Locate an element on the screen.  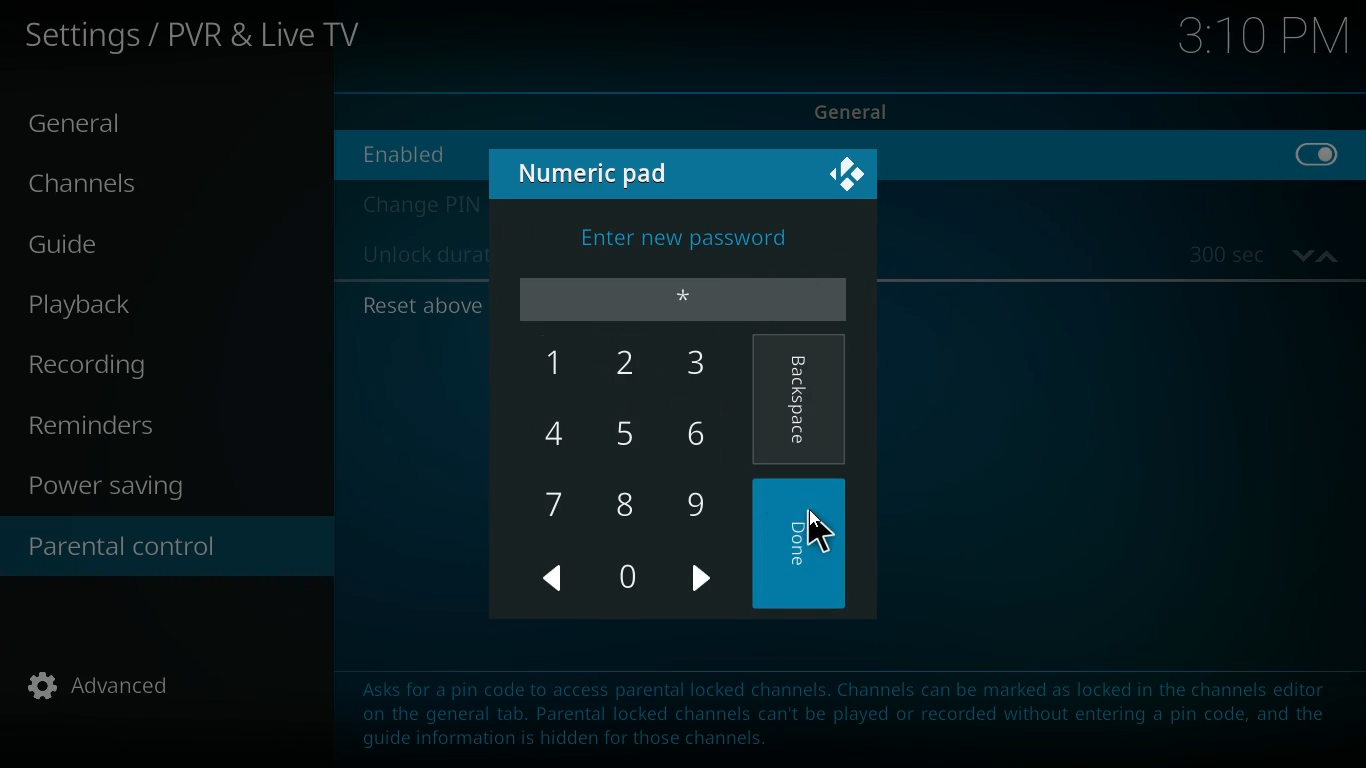
guide is located at coordinates (123, 247).